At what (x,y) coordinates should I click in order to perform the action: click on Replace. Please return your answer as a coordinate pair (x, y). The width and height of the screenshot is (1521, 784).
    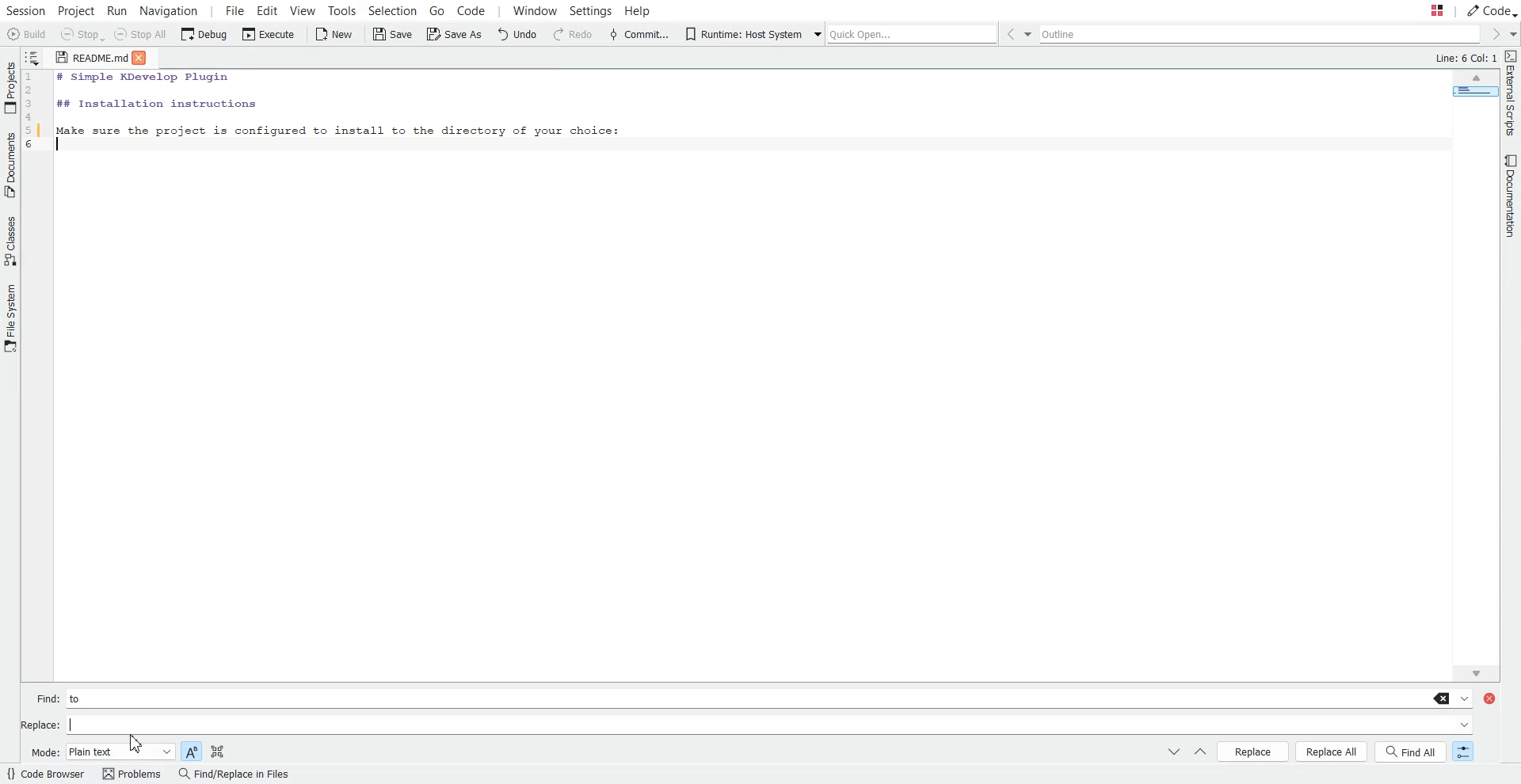
    Looking at the image, I should click on (1253, 751).